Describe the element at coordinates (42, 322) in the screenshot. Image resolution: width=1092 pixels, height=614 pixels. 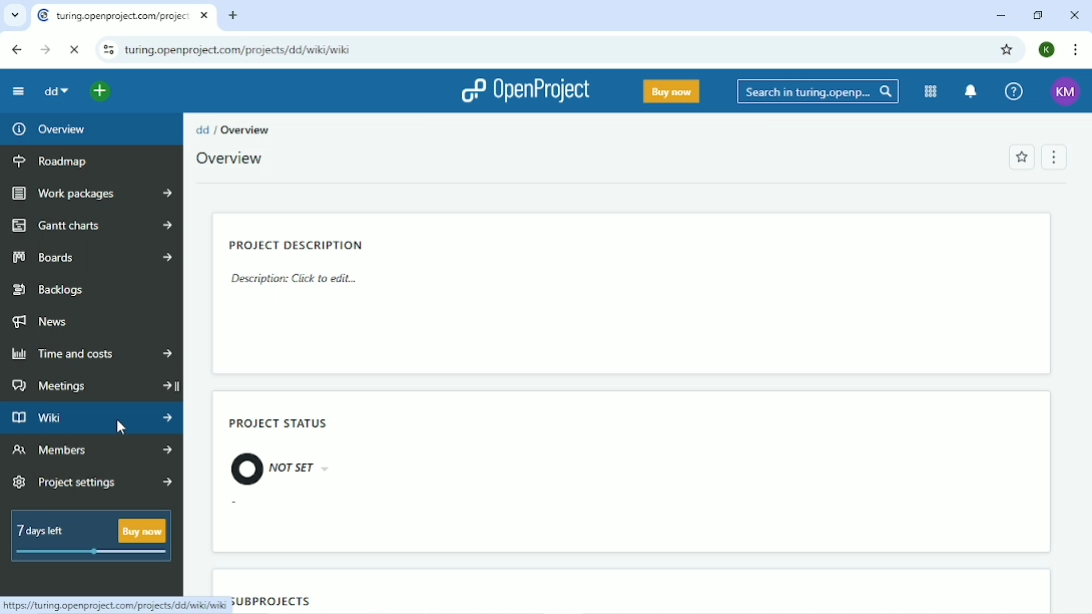
I see `News` at that location.